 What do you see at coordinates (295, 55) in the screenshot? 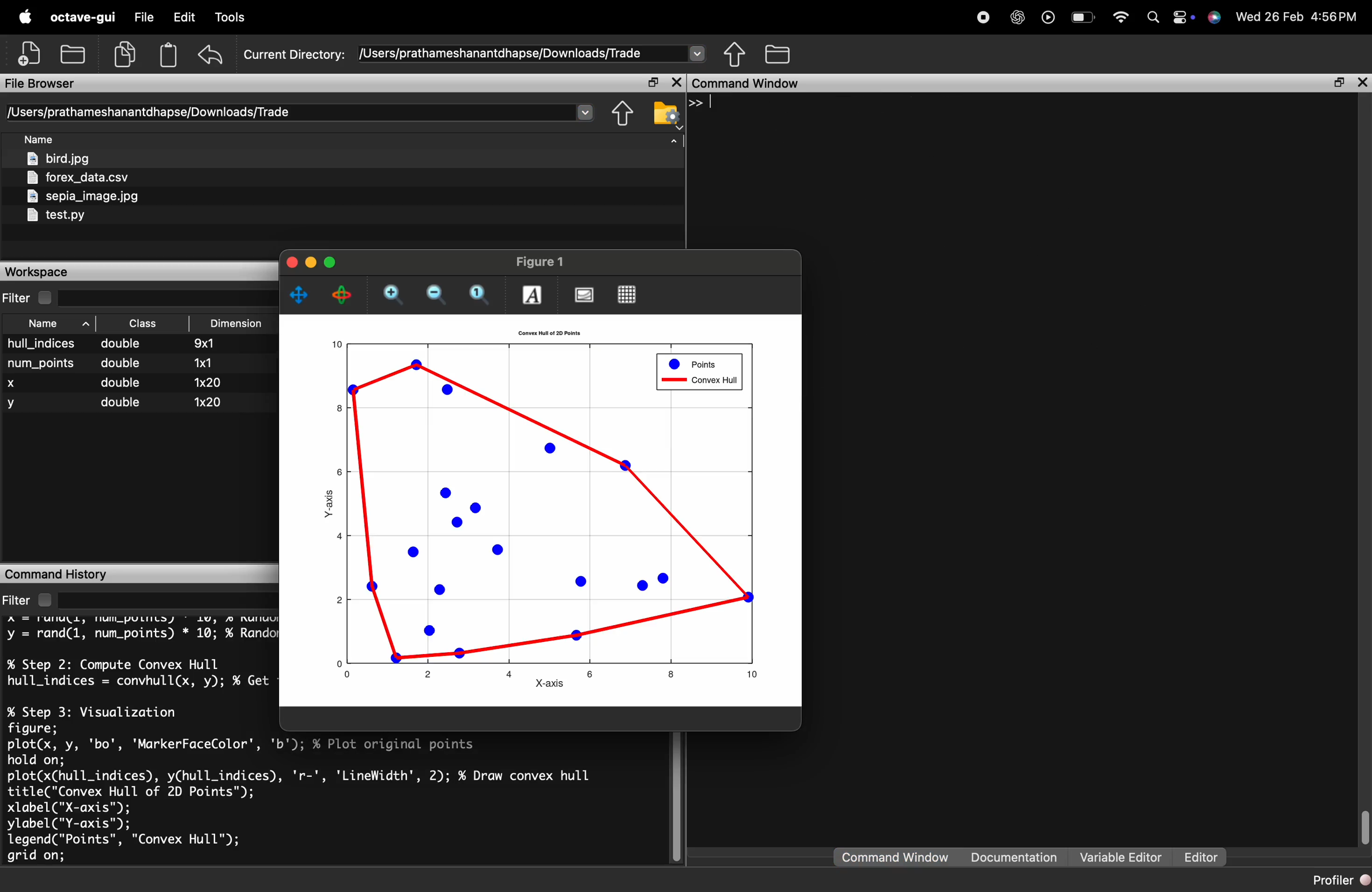
I see `Current Directory:` at bounding box center [295, 55].